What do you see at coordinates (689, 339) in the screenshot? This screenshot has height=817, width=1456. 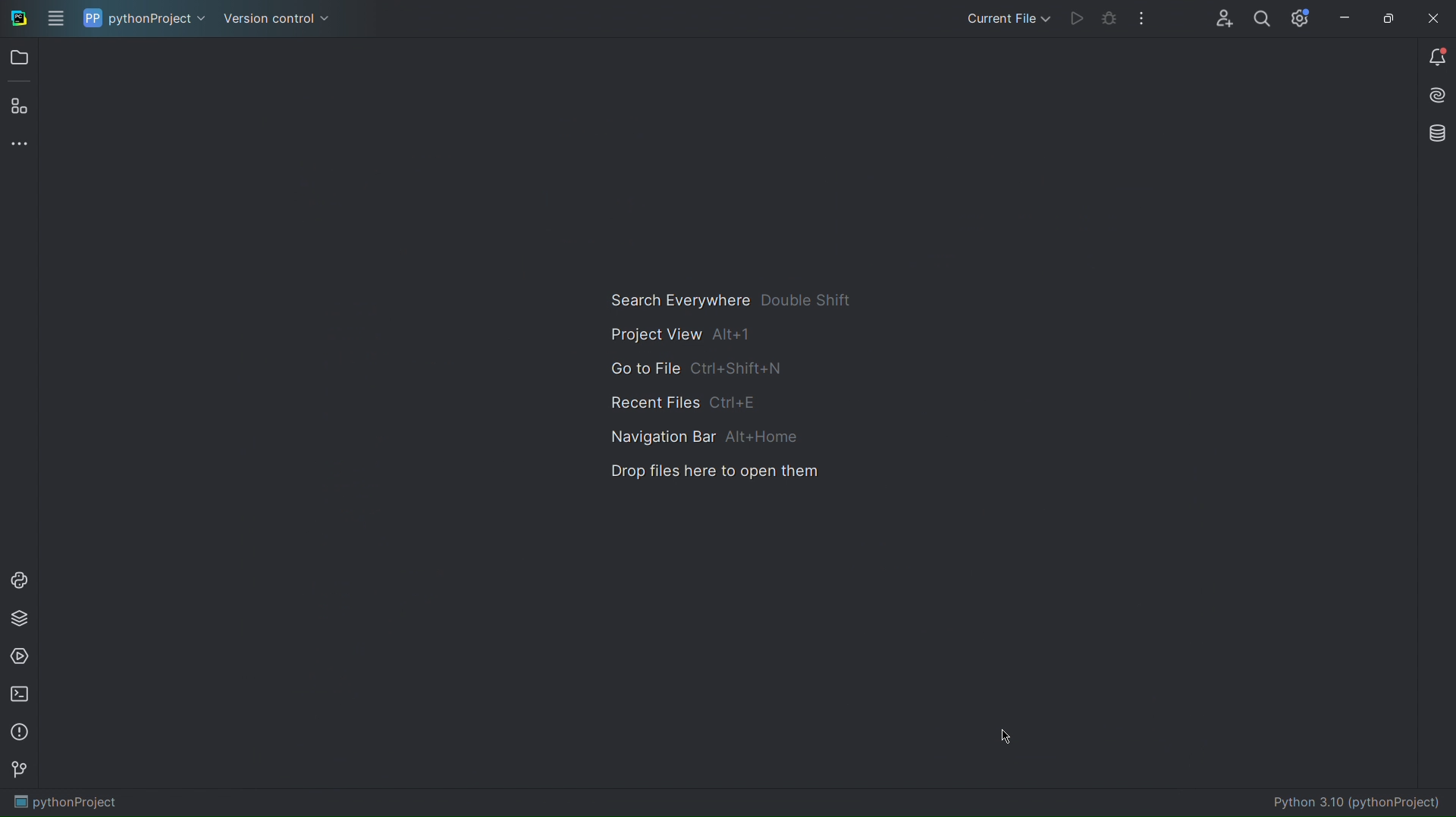 I see `Project View` at bounding box center [689, 339].